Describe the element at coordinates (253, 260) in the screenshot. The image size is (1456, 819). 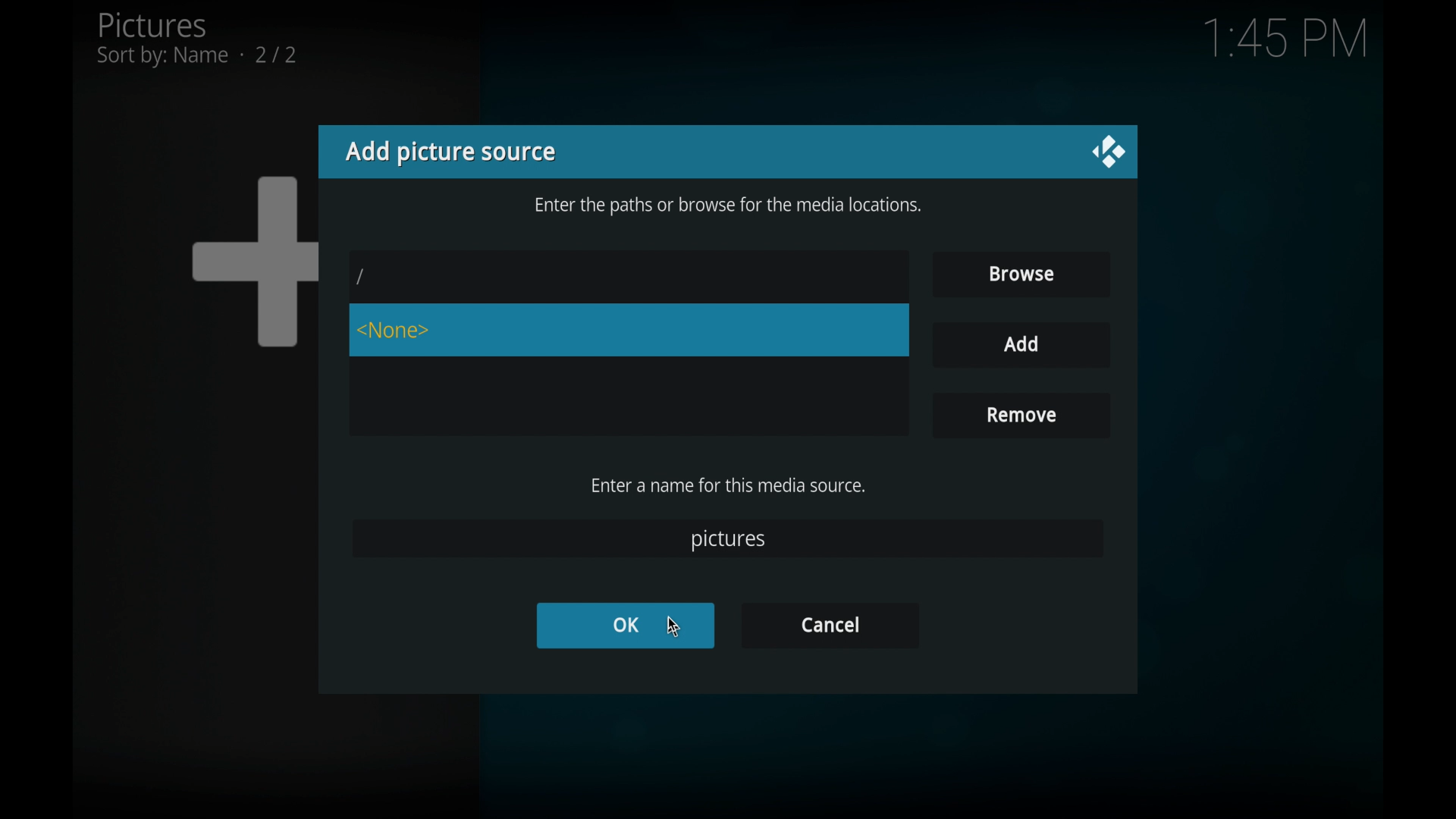
I see `add icon` at that location.